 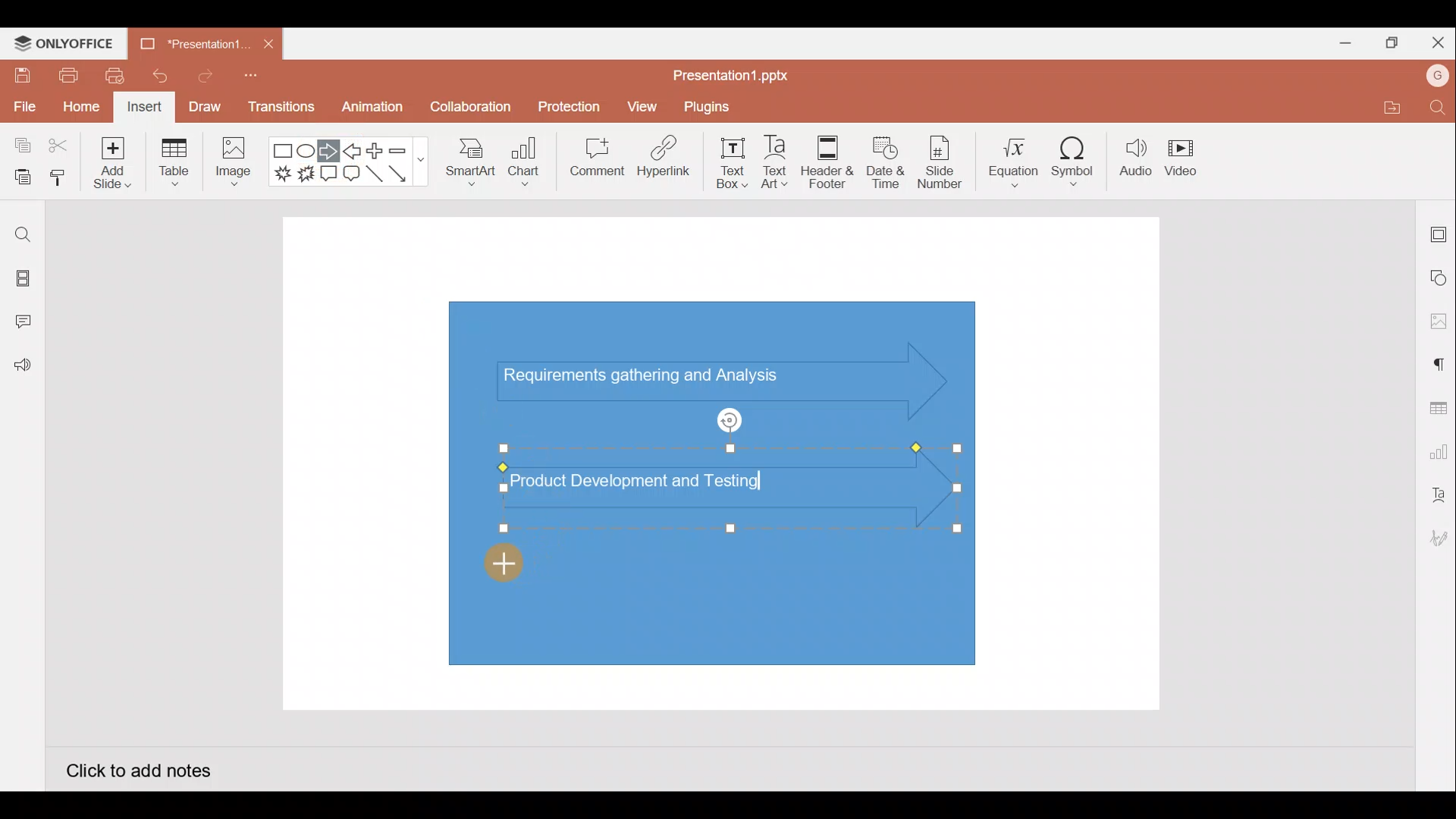 What do you see at coordinates (1439, 231) in the screenshot?
I see `Slide settings` at bounding box center [1439, 231].